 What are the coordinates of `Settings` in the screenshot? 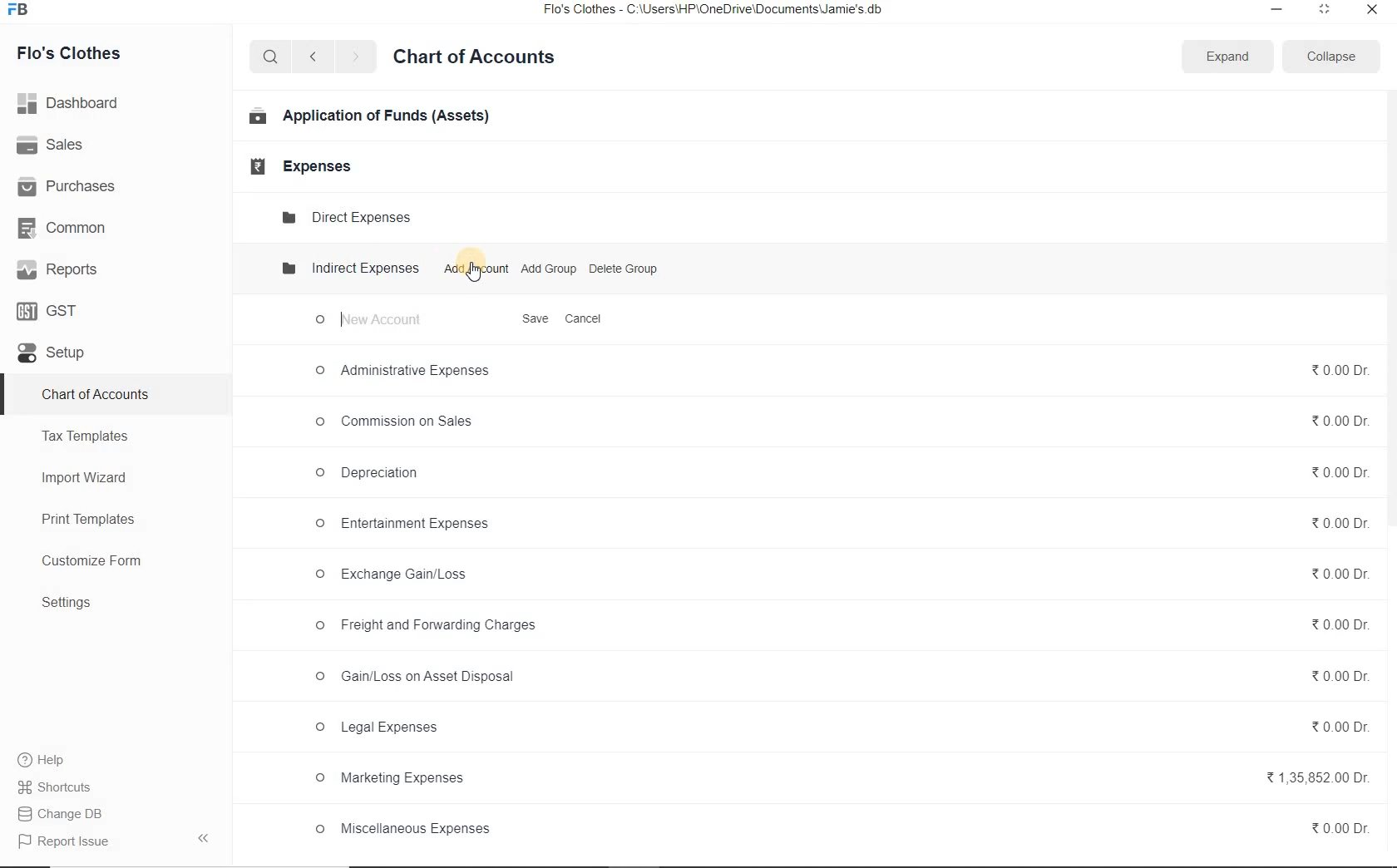 It's located at (67, 602).